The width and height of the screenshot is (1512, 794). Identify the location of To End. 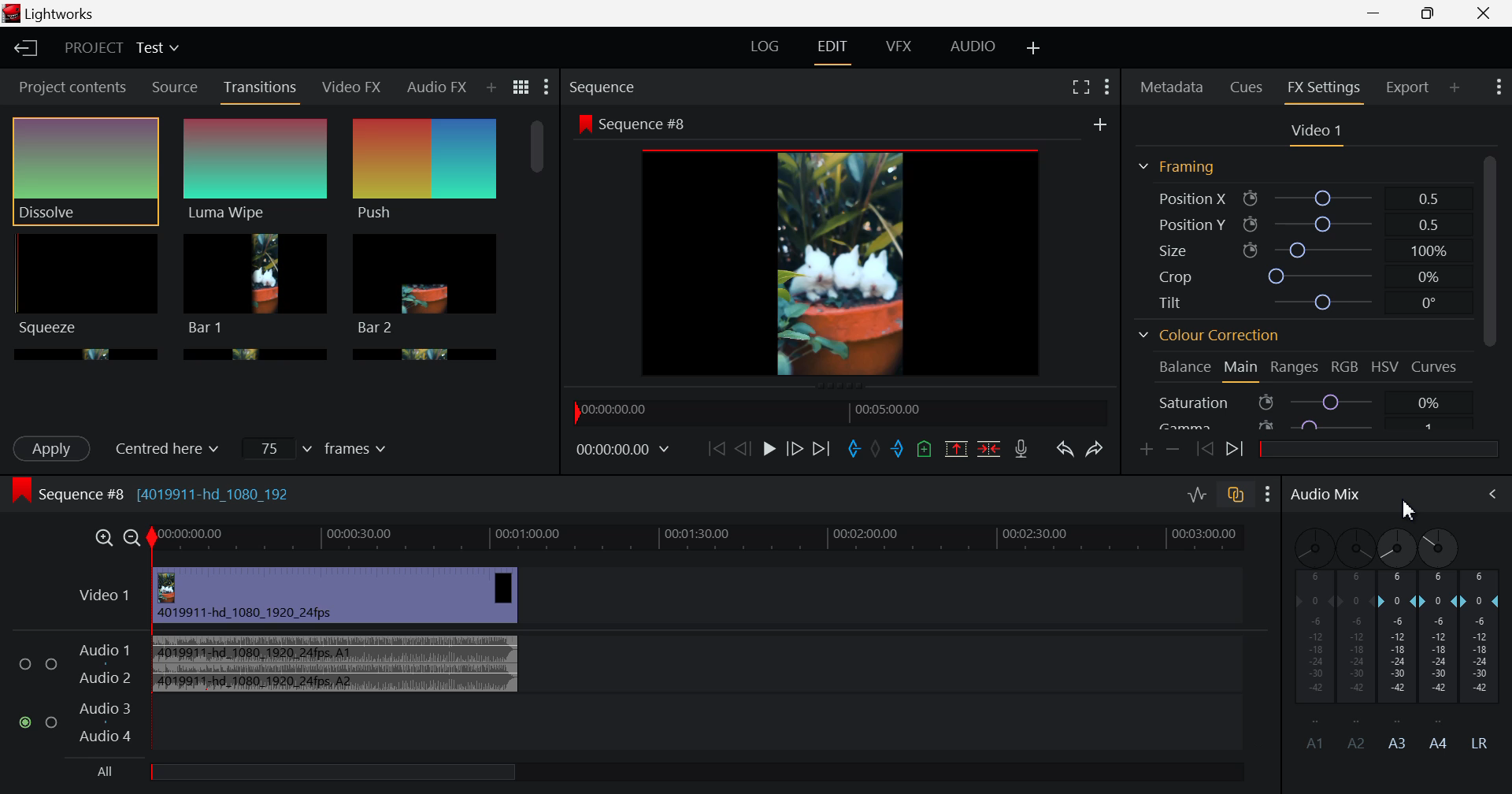
(822, 451).